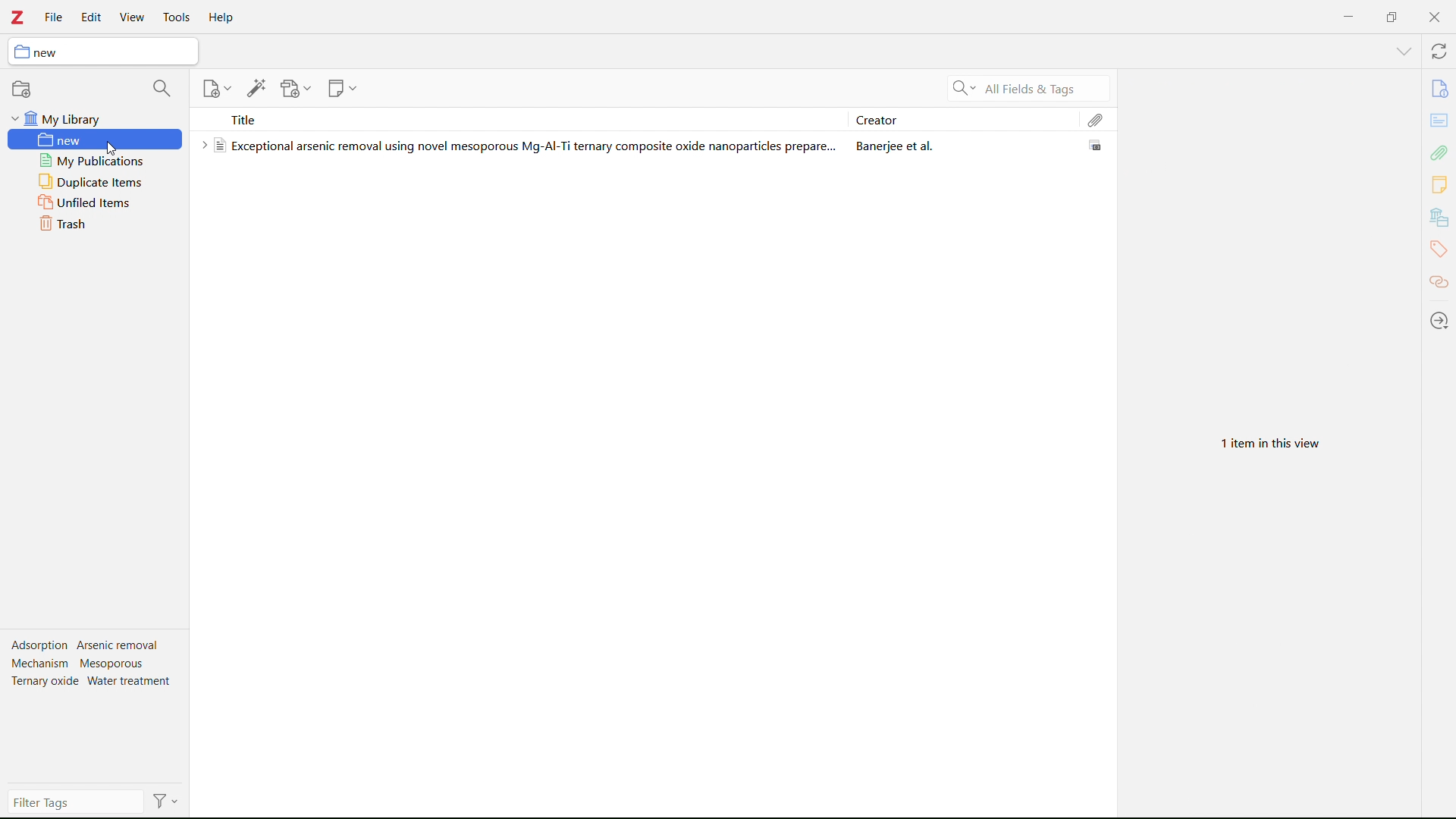 This screenshot has width=1456, height=819. Describe the element at coordinates (1439, 121) in the screenshot. I see `abstract` at that location.